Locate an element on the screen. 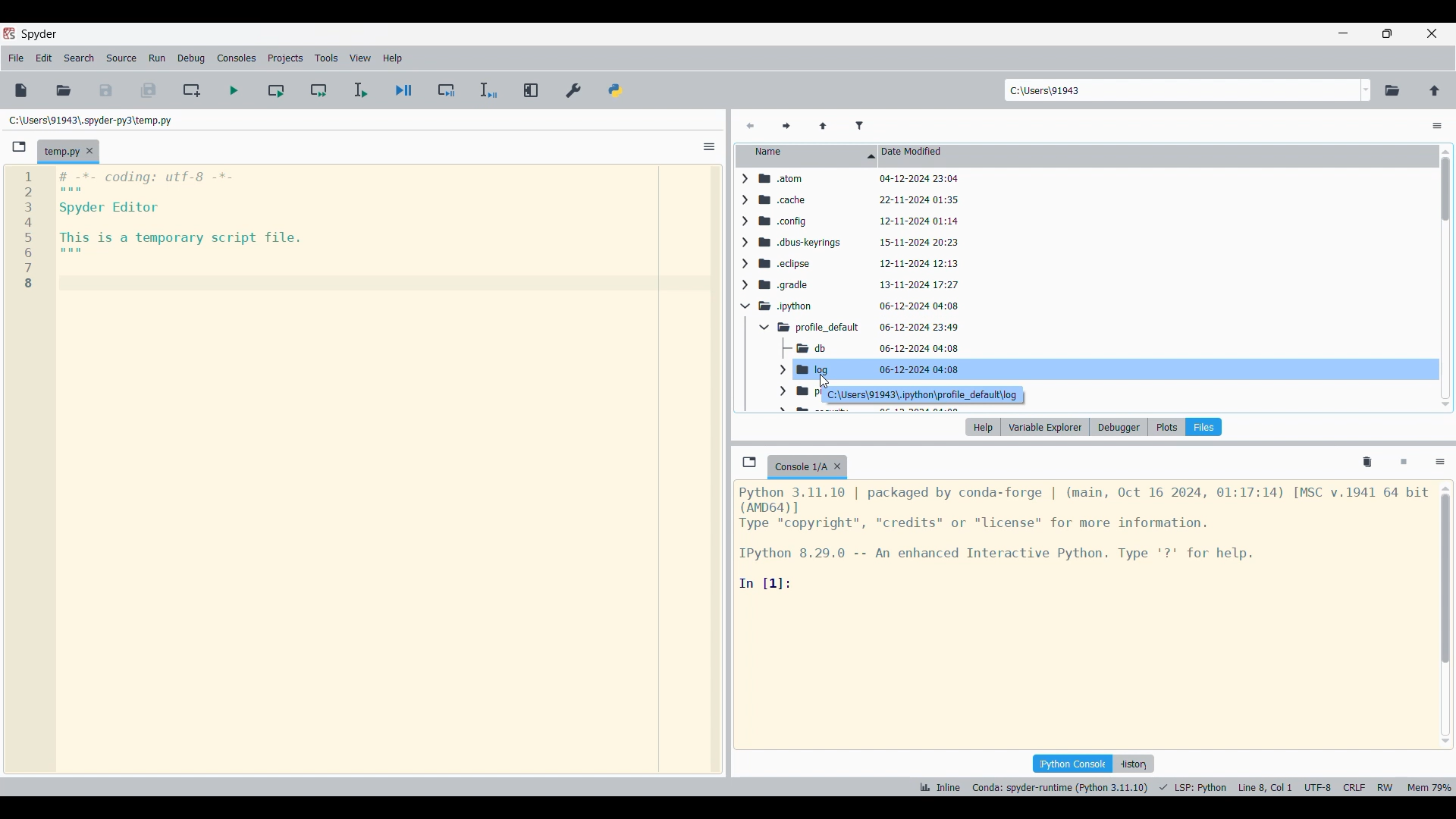  Open file is located at coordinates (64, 91).